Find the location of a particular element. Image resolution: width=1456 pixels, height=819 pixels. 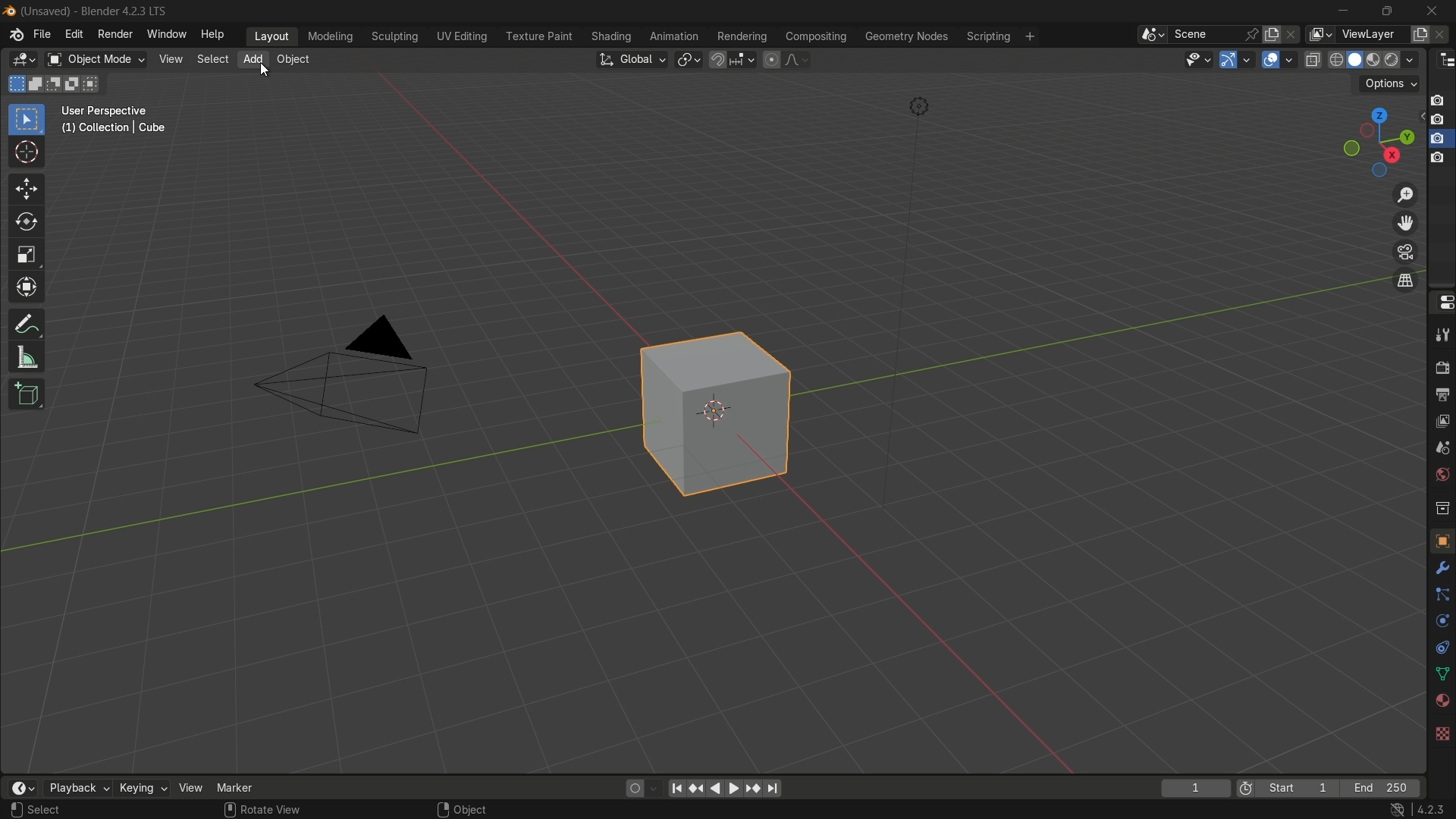

rendering is located at coordinates (742, 37).